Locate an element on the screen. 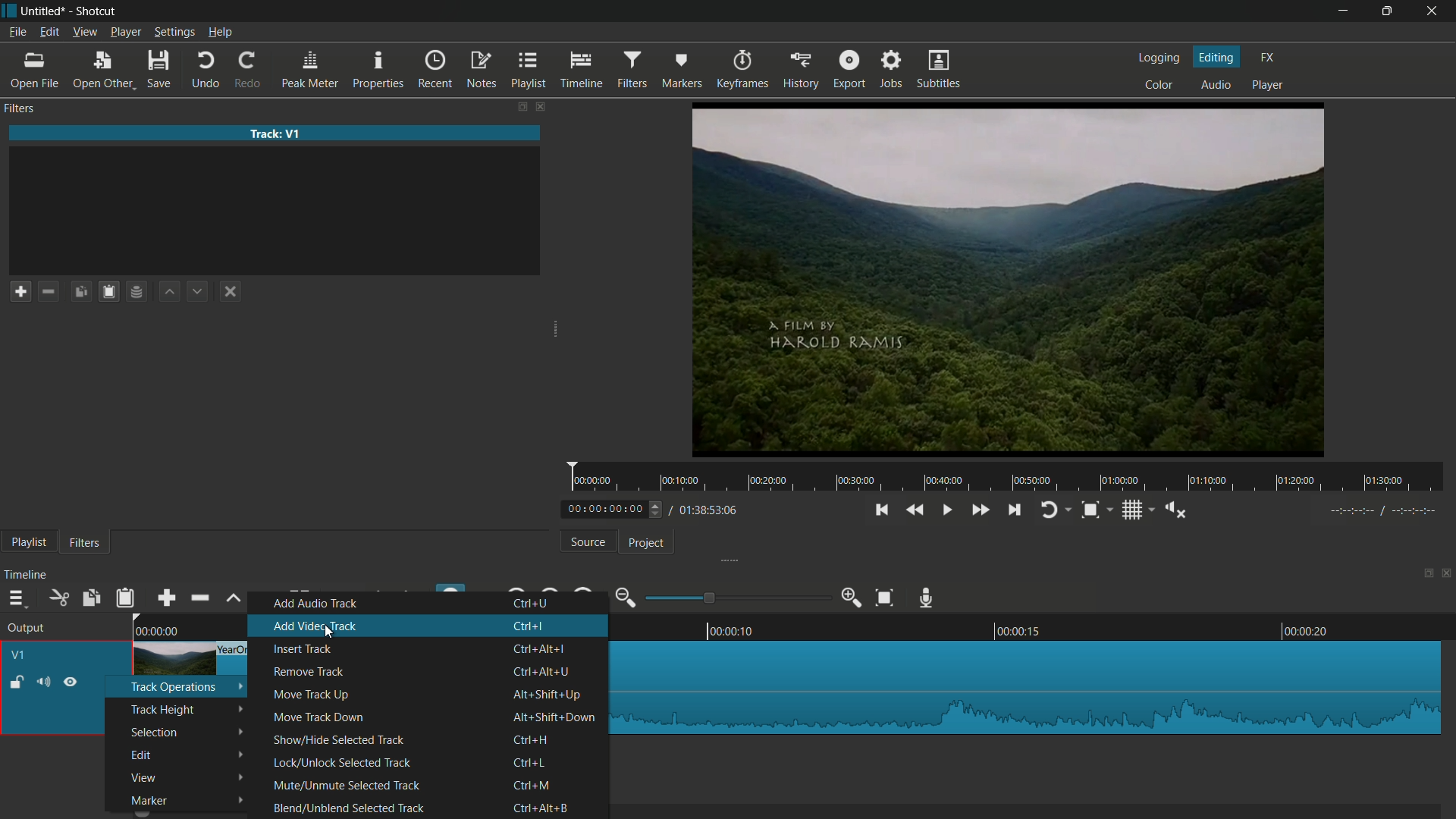 This screenshot has width=1456, height=819. playlist is located at coordinates (28, 541).